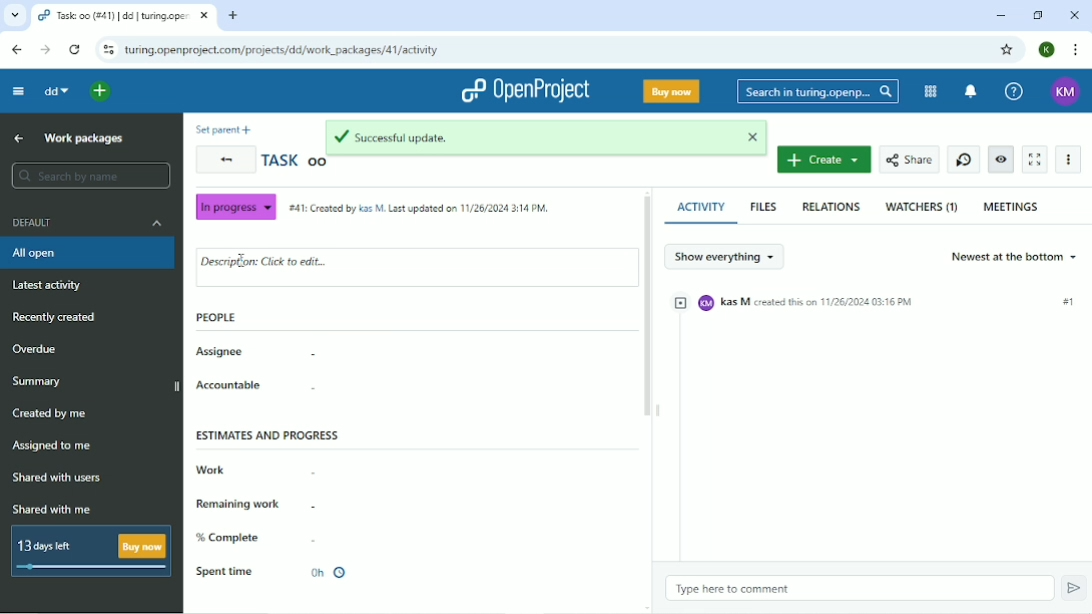 Image resolution: width=1092 pixels, height=614 pixels. What do you see at coordinates (1072, 15) in the screenshot?
I see `Close` at bounding box center [1072, 15].